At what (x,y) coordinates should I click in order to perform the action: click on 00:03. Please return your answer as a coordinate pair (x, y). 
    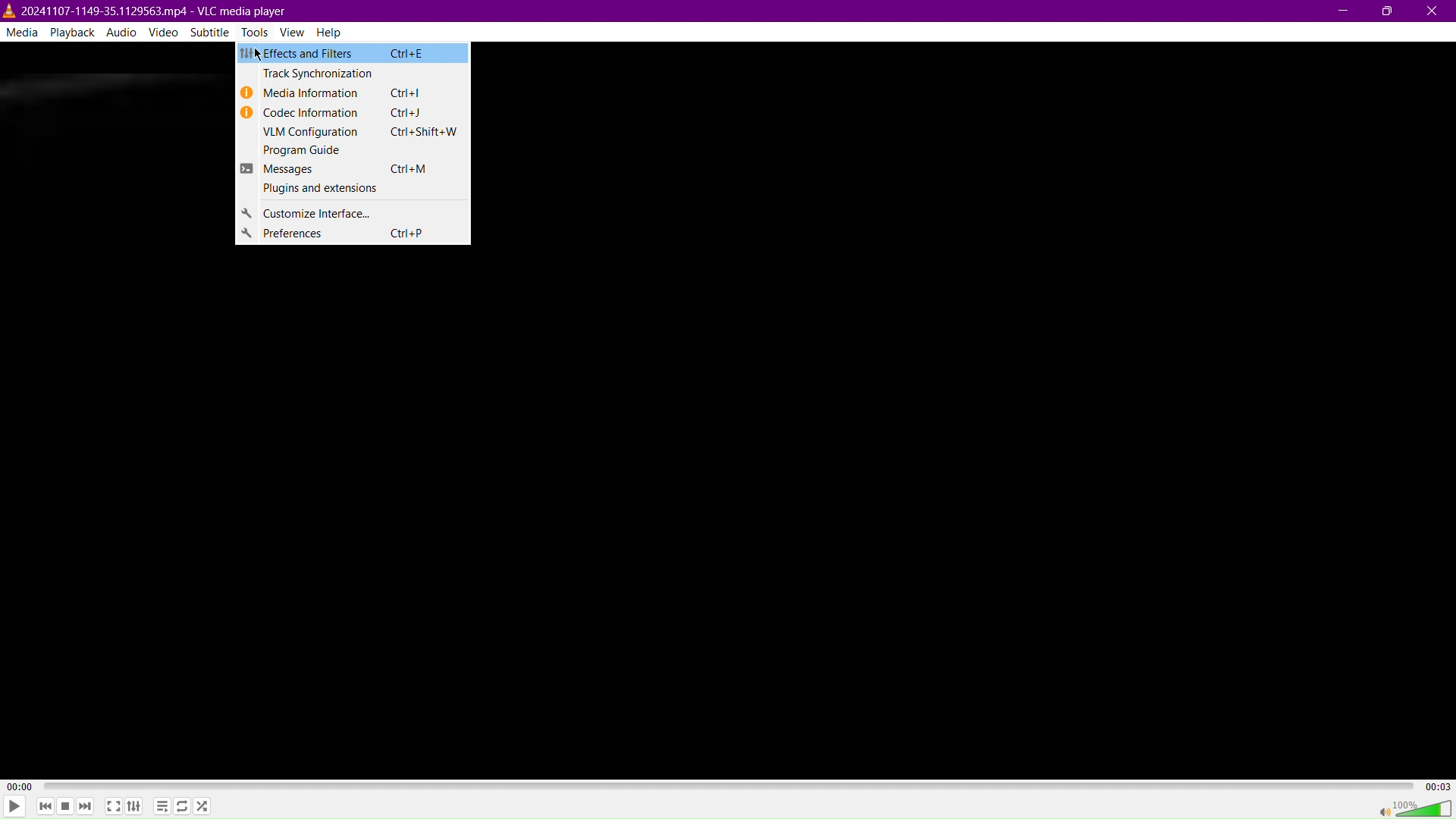
    Looking at the image, I should click on (1437, 785).